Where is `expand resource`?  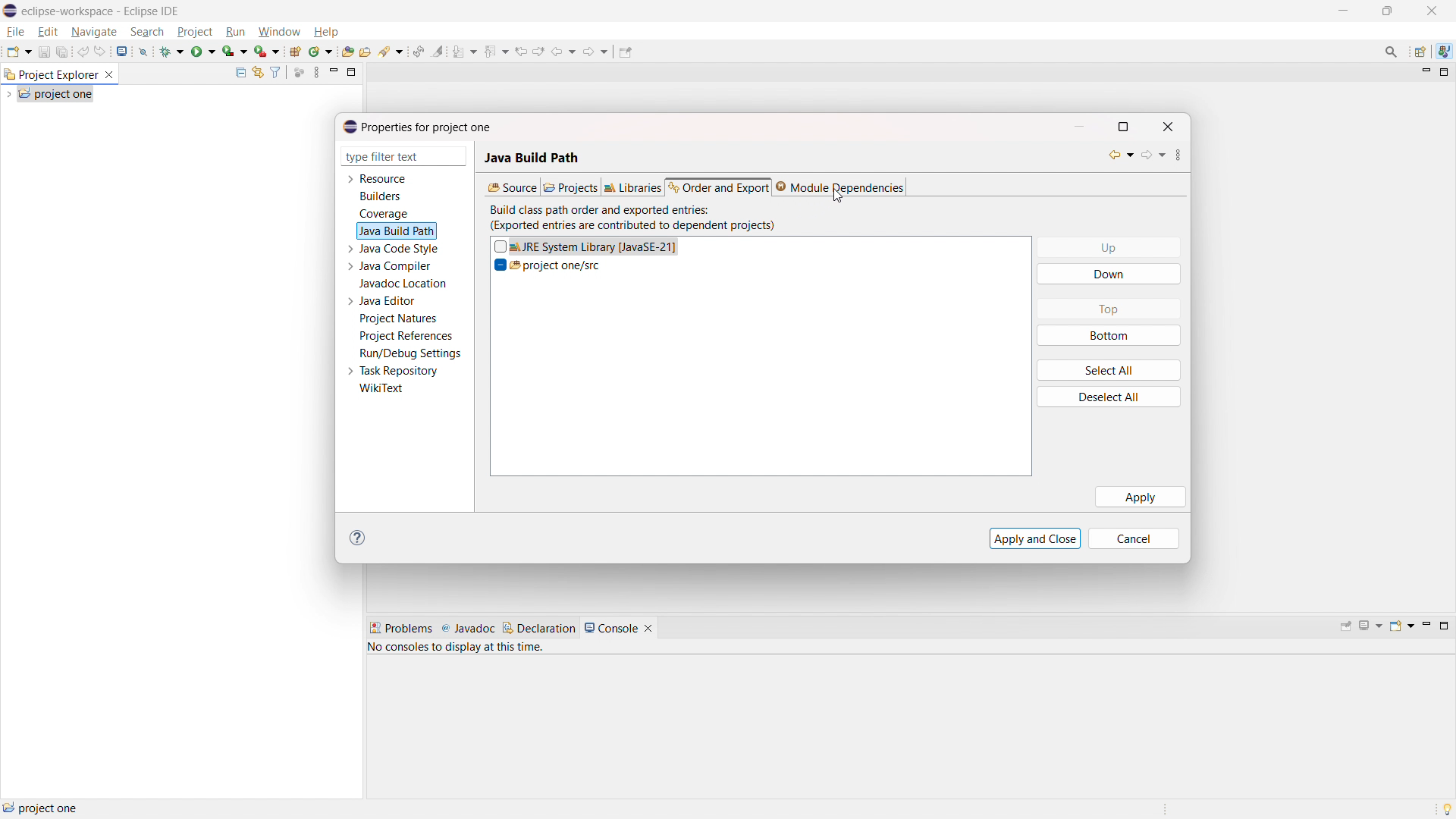 expand resource is located at coordinates (350, 180).